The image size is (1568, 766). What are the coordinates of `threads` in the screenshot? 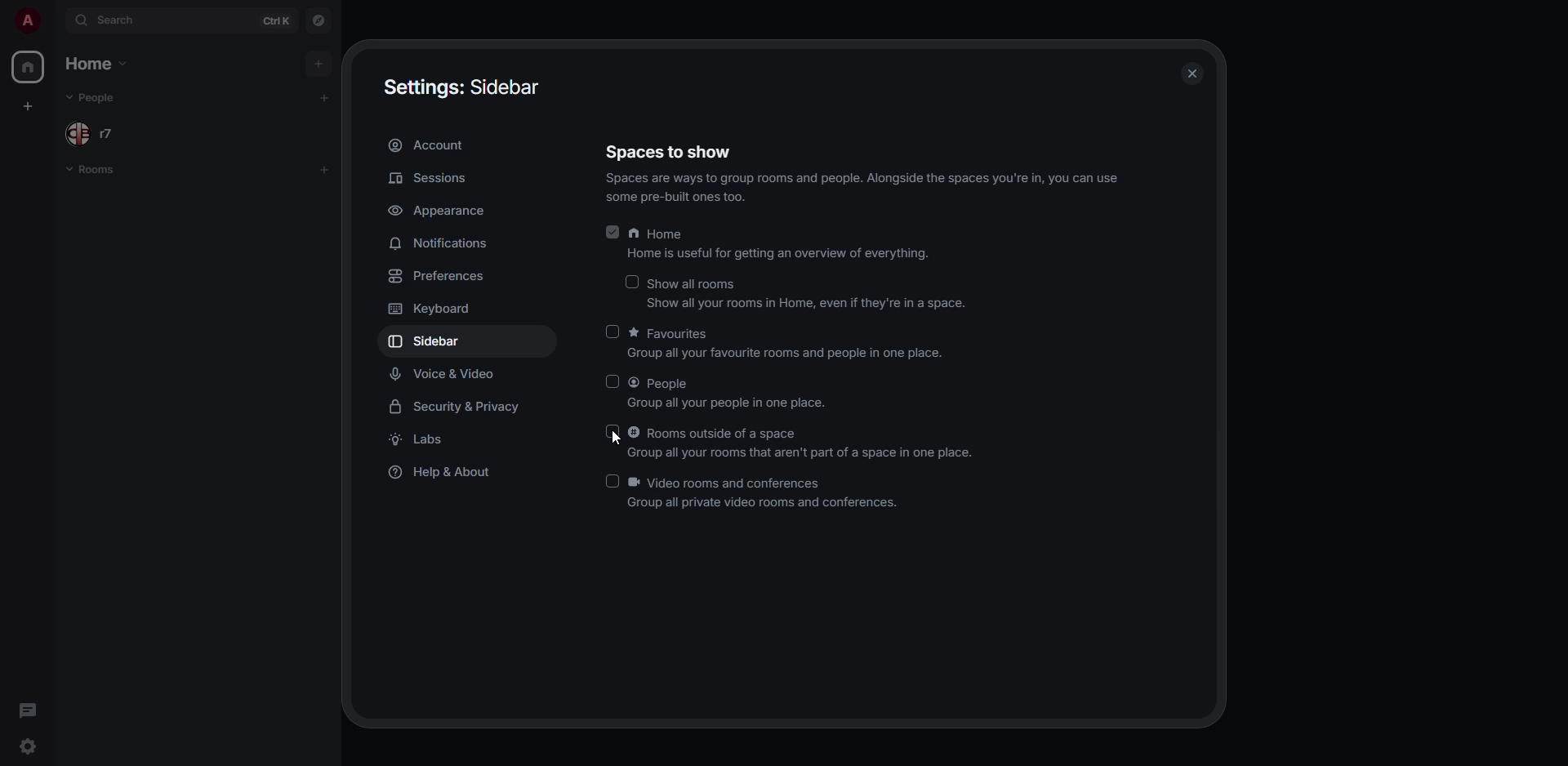 It's located at (29, 709).